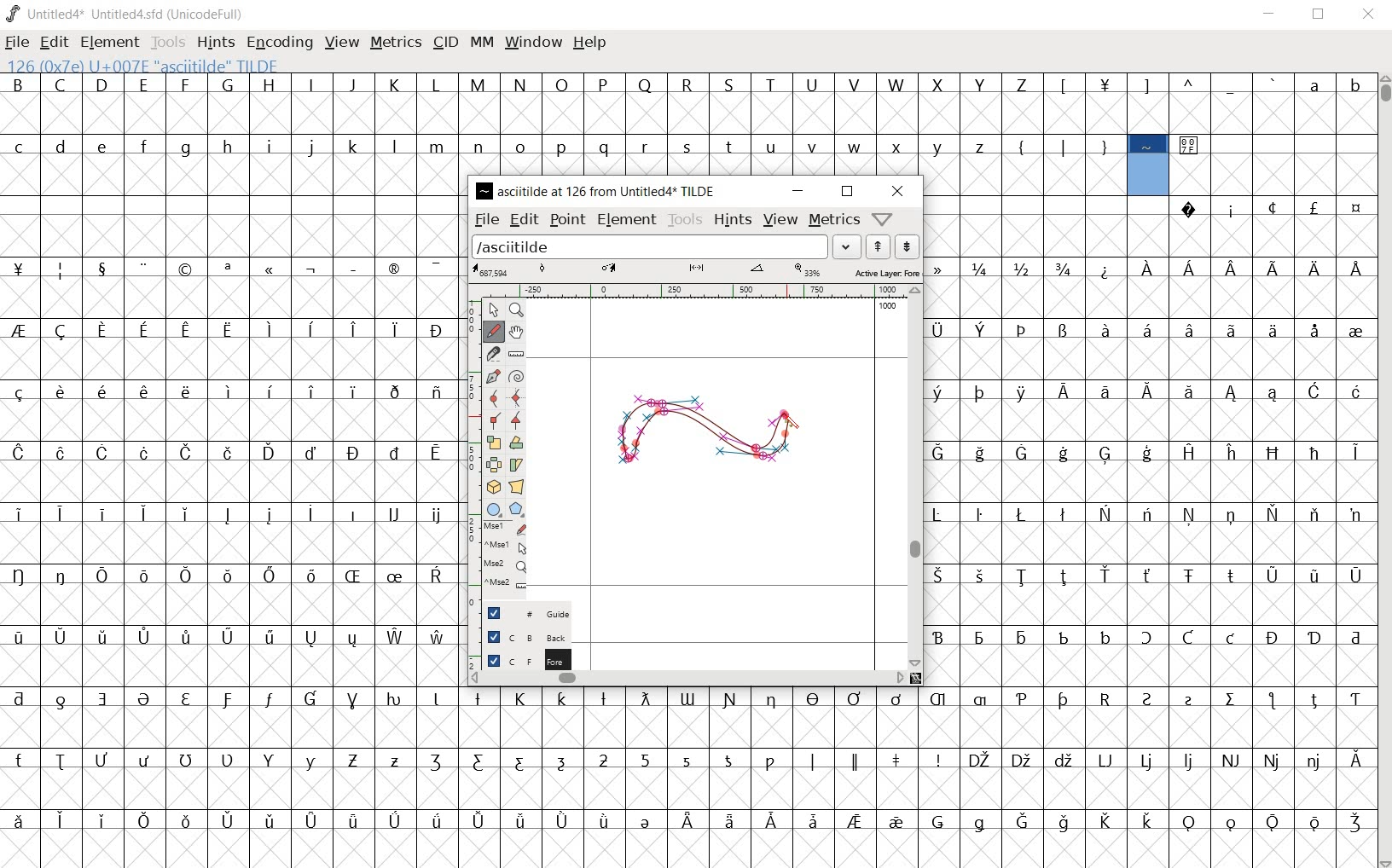 This screenshot has width=1392, height=868. I want to click on pointer, so click(493, 310).